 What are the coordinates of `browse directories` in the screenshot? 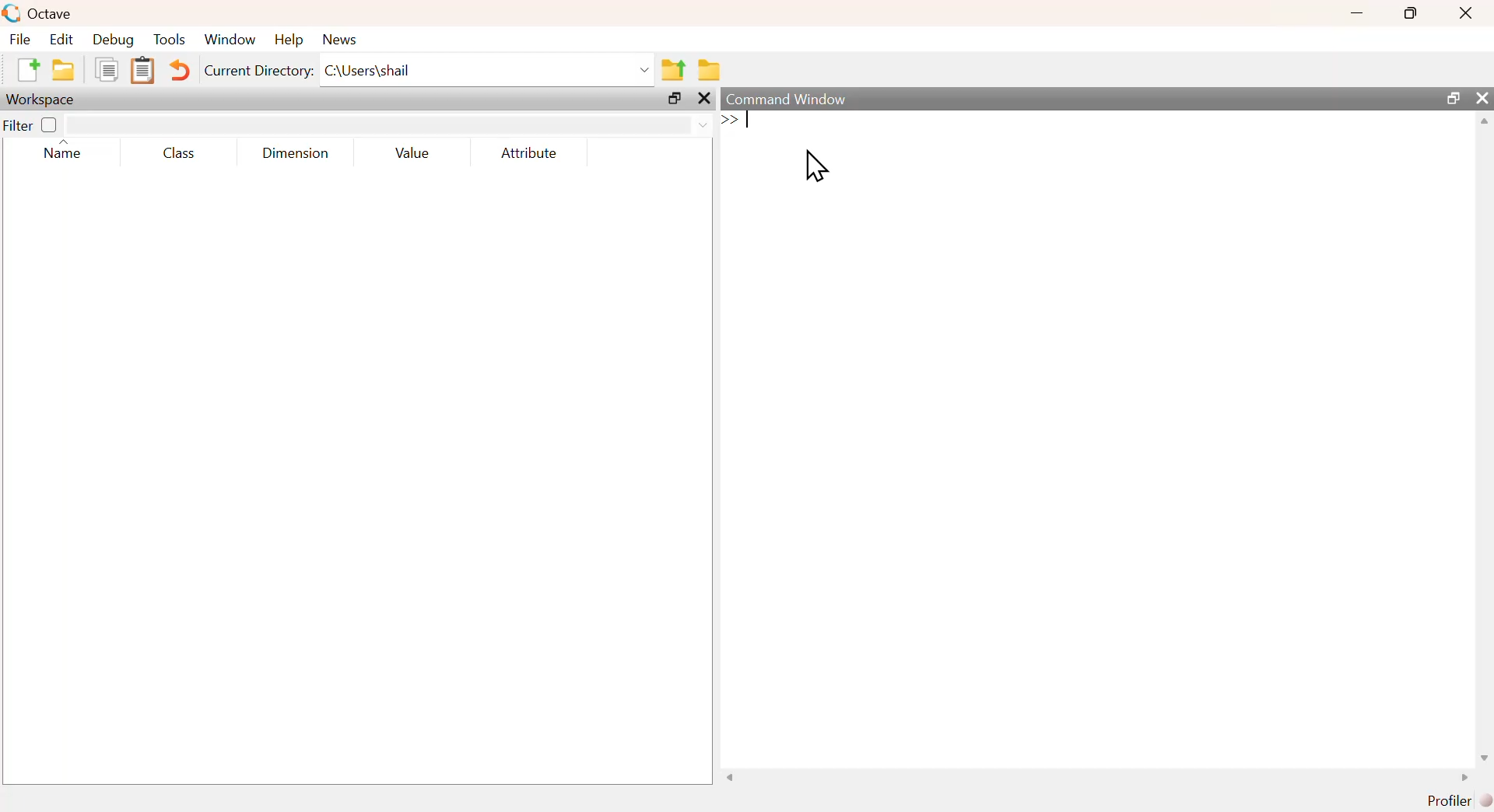 It's located at (708, 70).